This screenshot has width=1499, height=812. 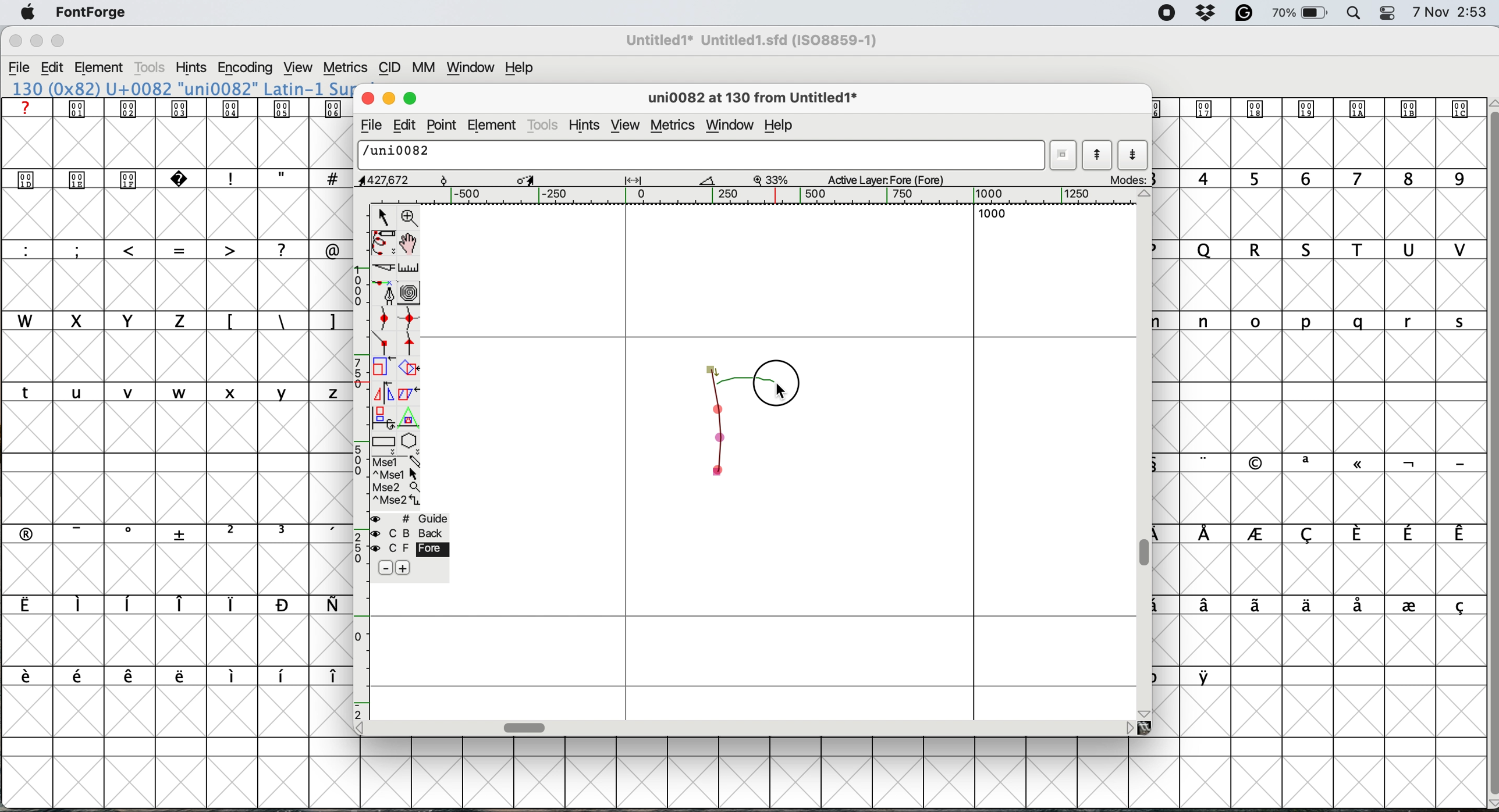 What do you see at coordinates (1319, 535) in the screenshot?
I see `special characters` at bounding box center [1319, 535].